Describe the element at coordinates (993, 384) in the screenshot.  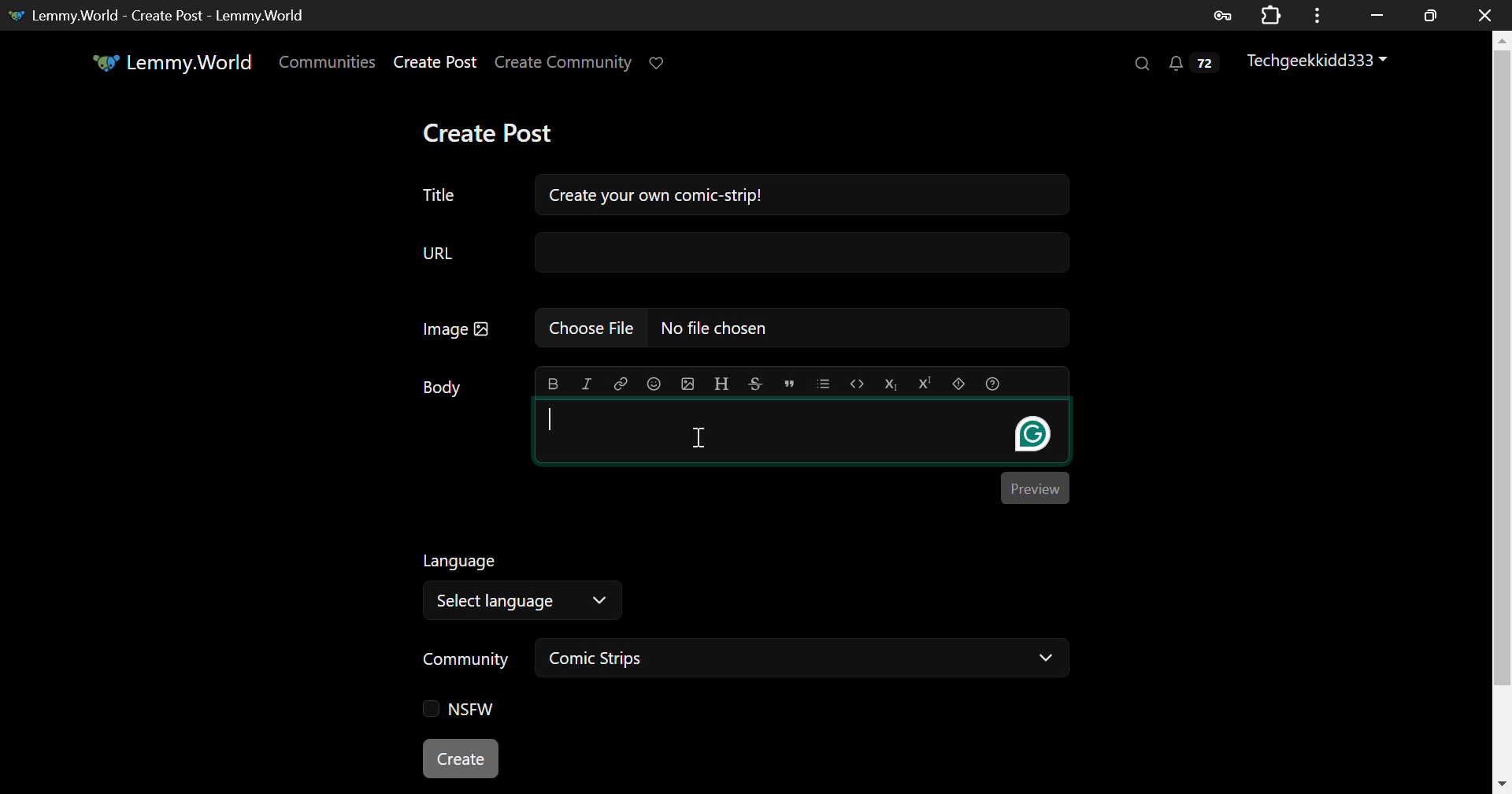
I see `Formatting Help` at that location.